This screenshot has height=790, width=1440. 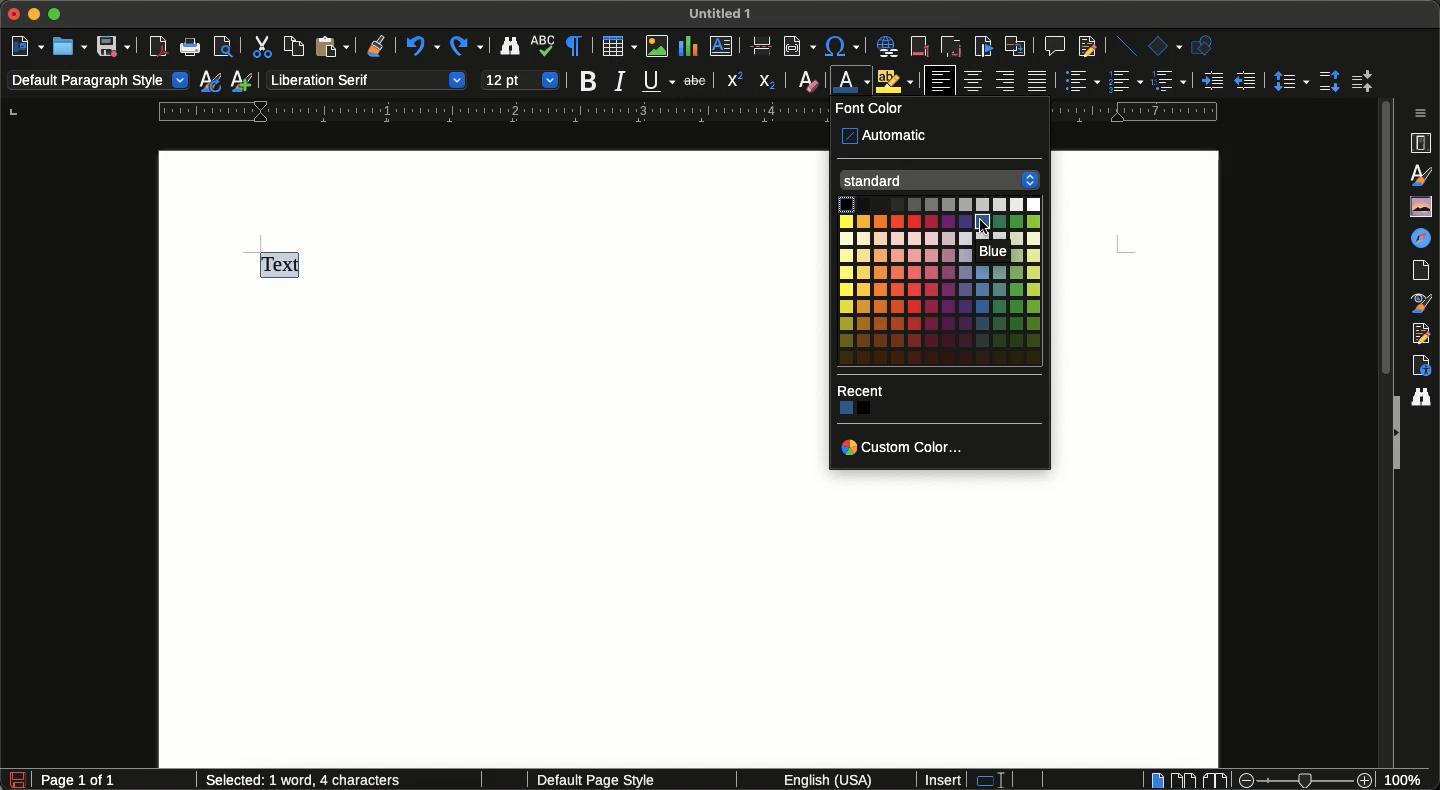 I want to click on Single-page view, so click(x=1158, y=779).